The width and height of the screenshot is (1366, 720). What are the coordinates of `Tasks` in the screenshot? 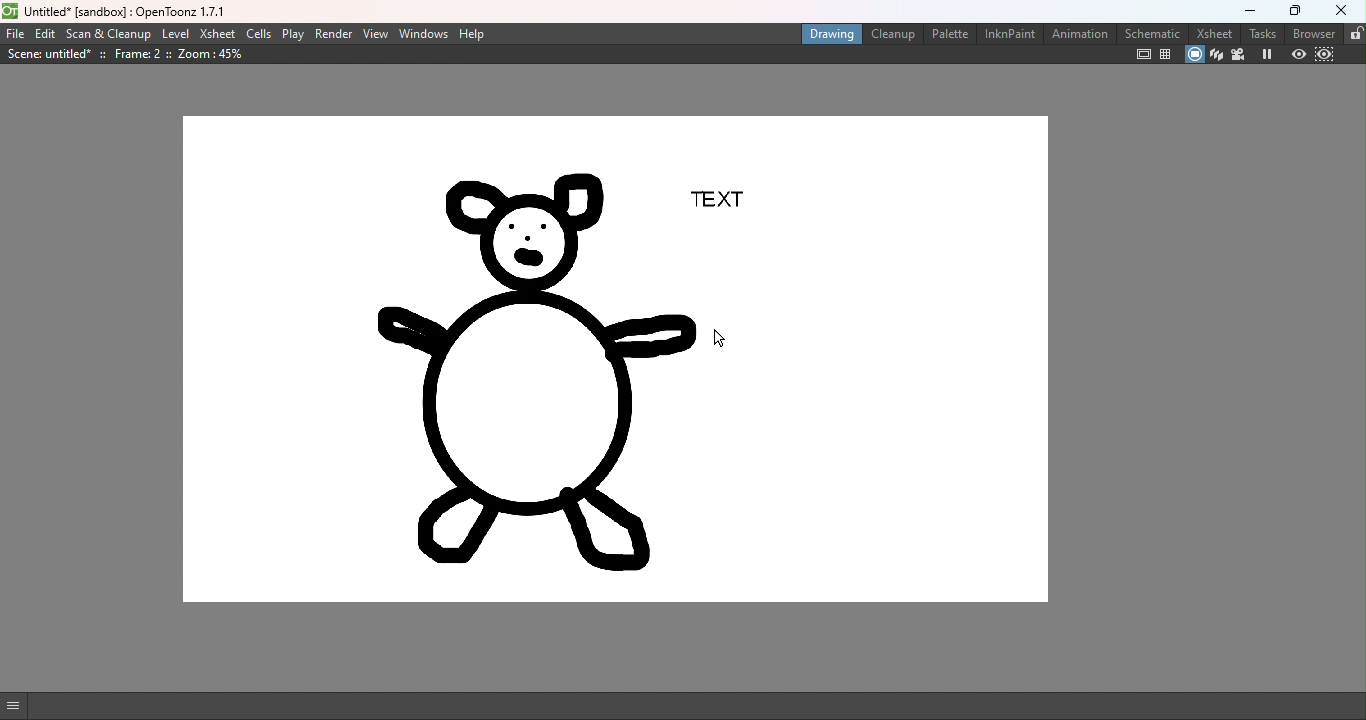 It's located at (1264, 32).